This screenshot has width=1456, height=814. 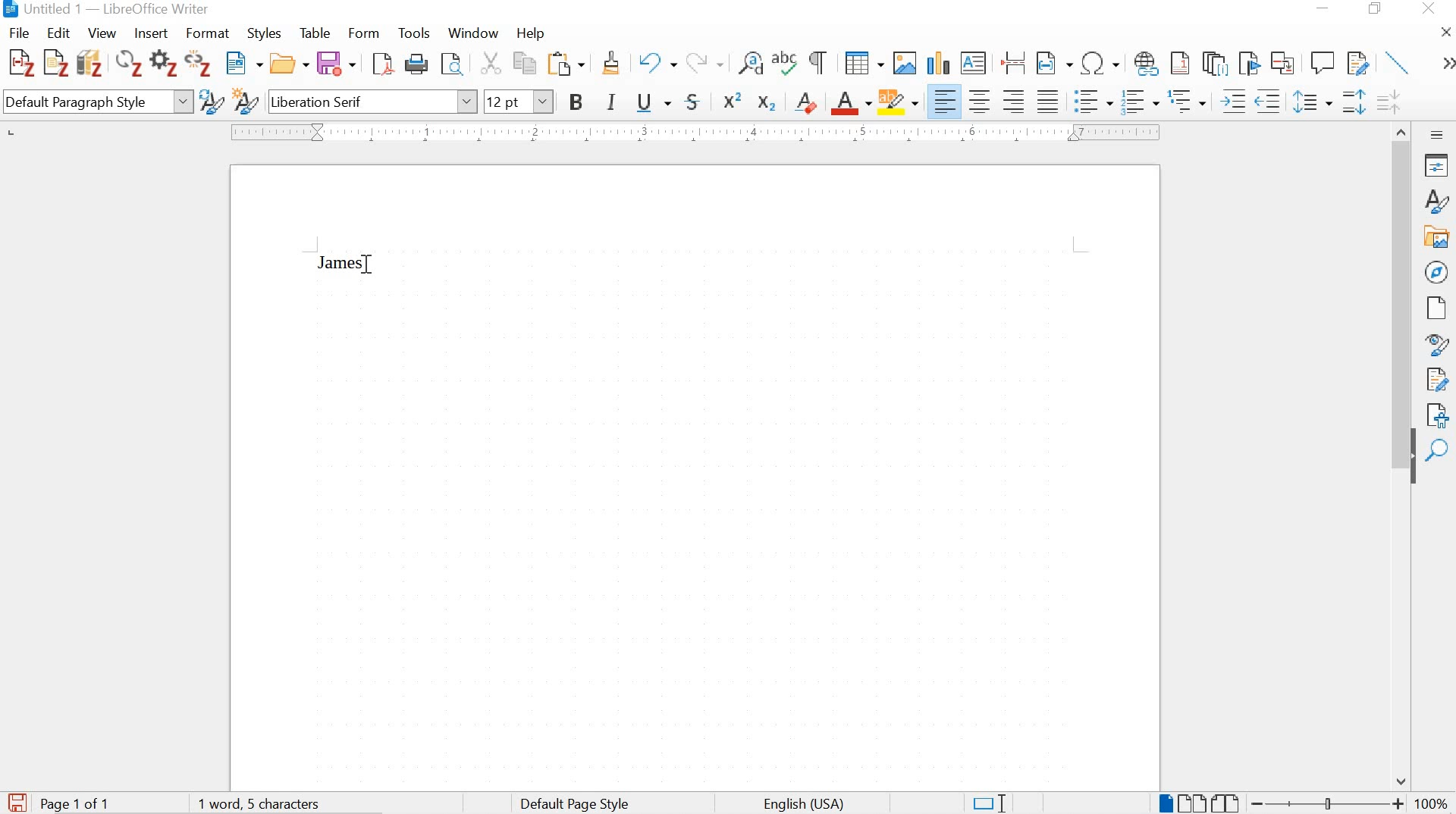 What do you see at coordinates (696, 102) in the screenshot?
I see `strikethrough` at bounding box center [696, 102].